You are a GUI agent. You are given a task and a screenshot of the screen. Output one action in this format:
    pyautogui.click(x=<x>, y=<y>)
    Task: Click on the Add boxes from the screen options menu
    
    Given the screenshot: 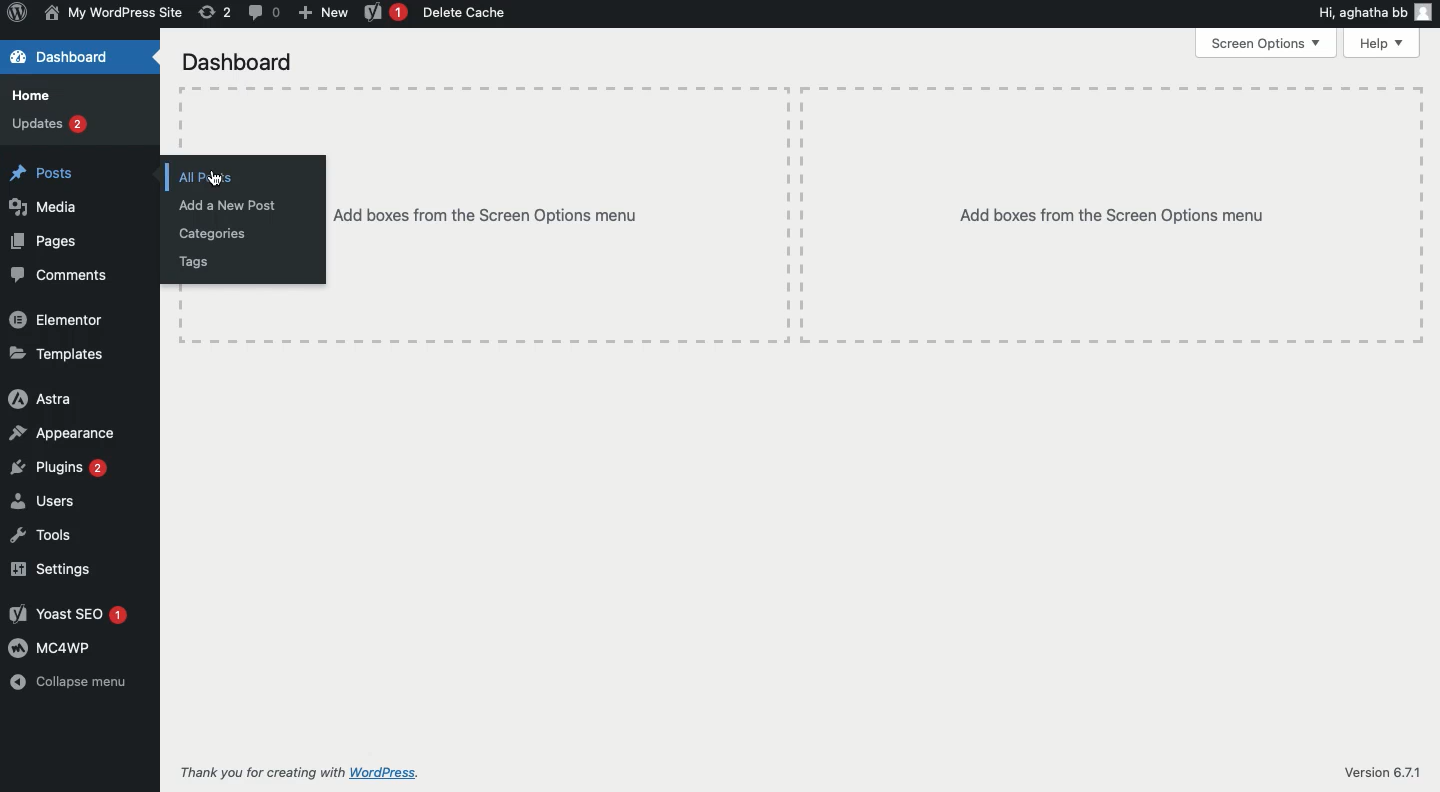 What is the action you would take?
    pyautogui.click(x=877, y=215)
    